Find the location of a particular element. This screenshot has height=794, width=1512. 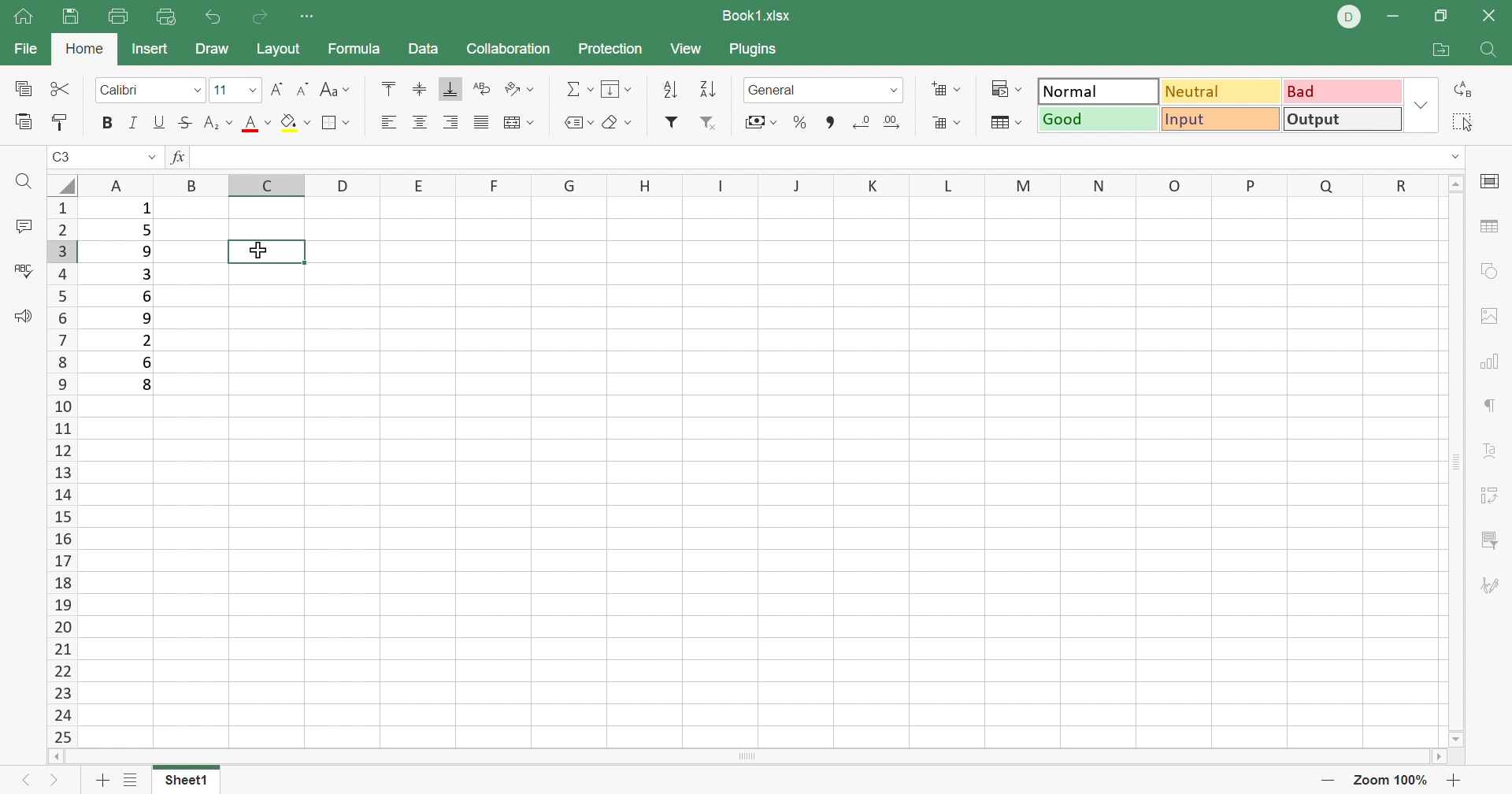

Cut is located at coordinates (60, 87).